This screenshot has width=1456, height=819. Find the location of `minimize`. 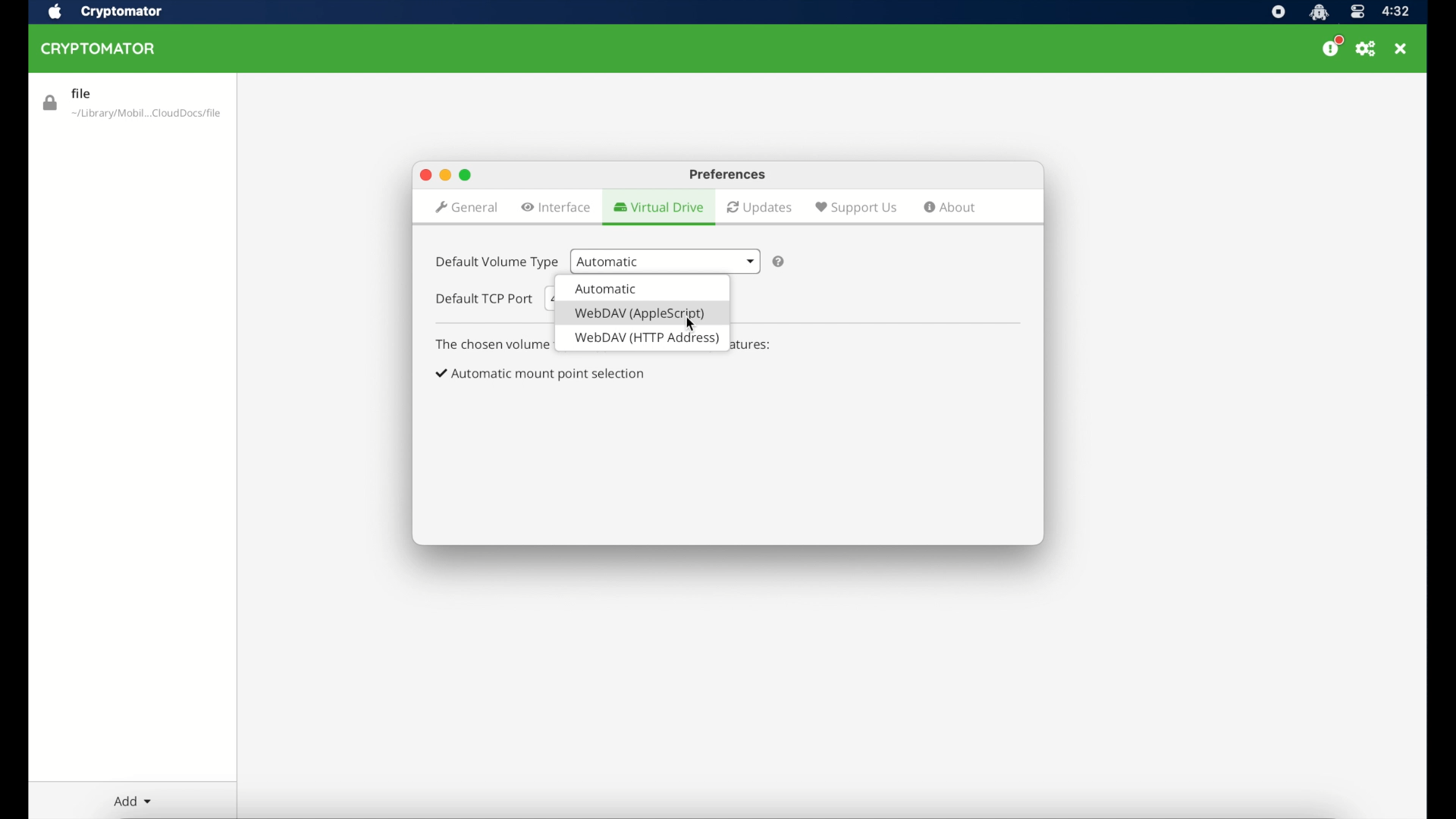

minimize is located at coordinates (444, 175).